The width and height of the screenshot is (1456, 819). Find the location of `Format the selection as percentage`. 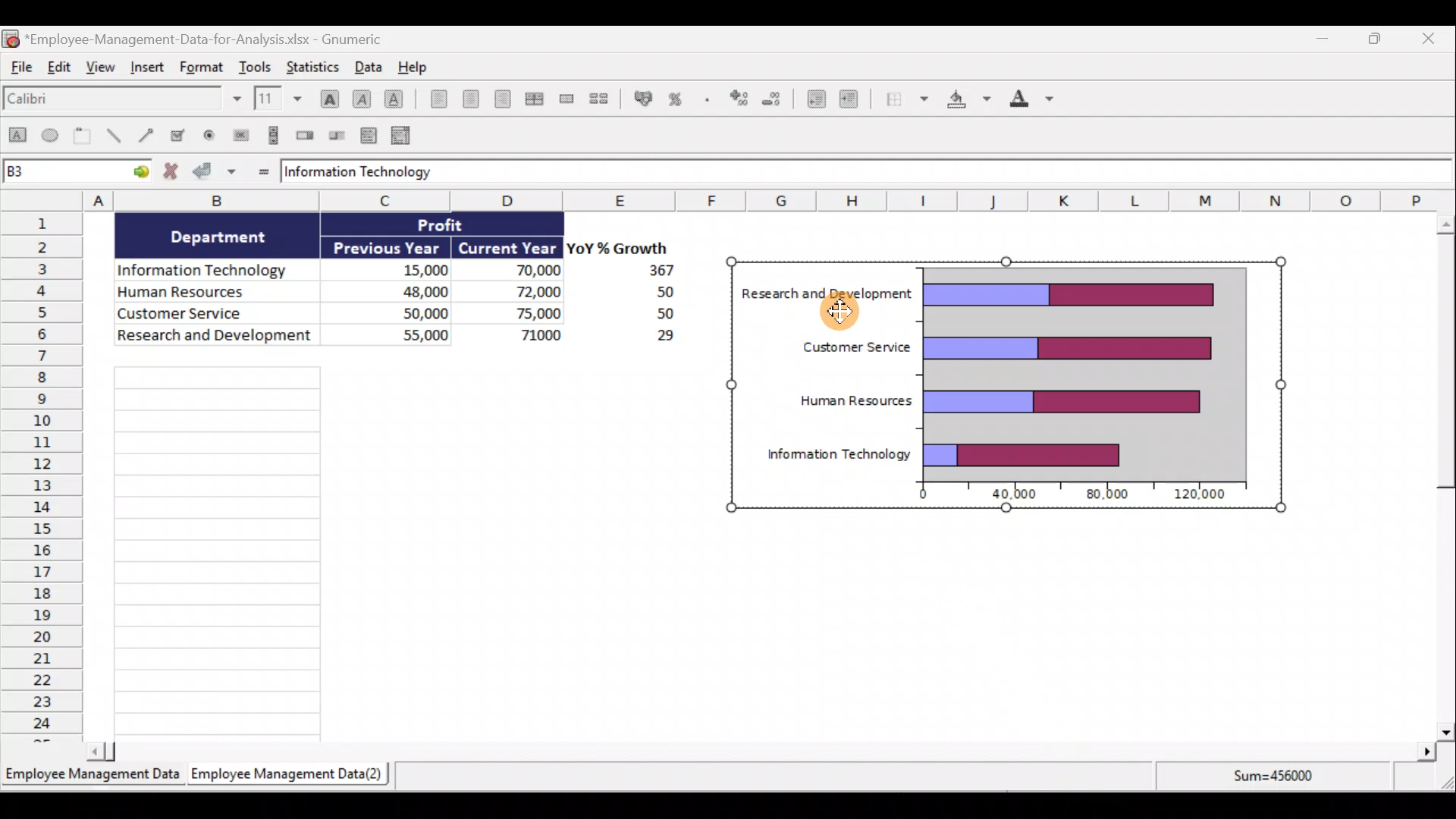

Format the selection as percentage is located at coordinates (677, 101).